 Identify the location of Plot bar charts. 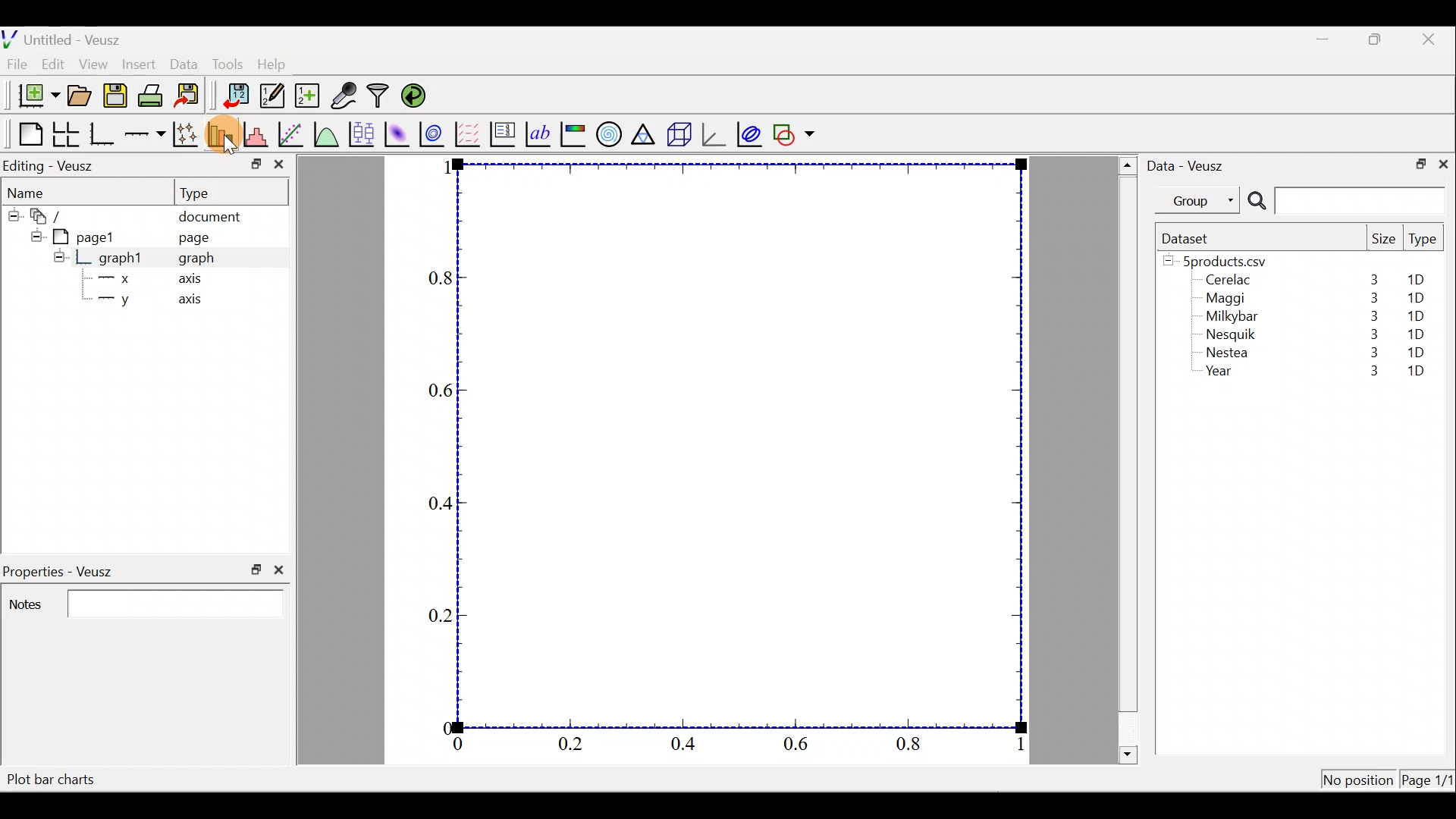
(51, 780).